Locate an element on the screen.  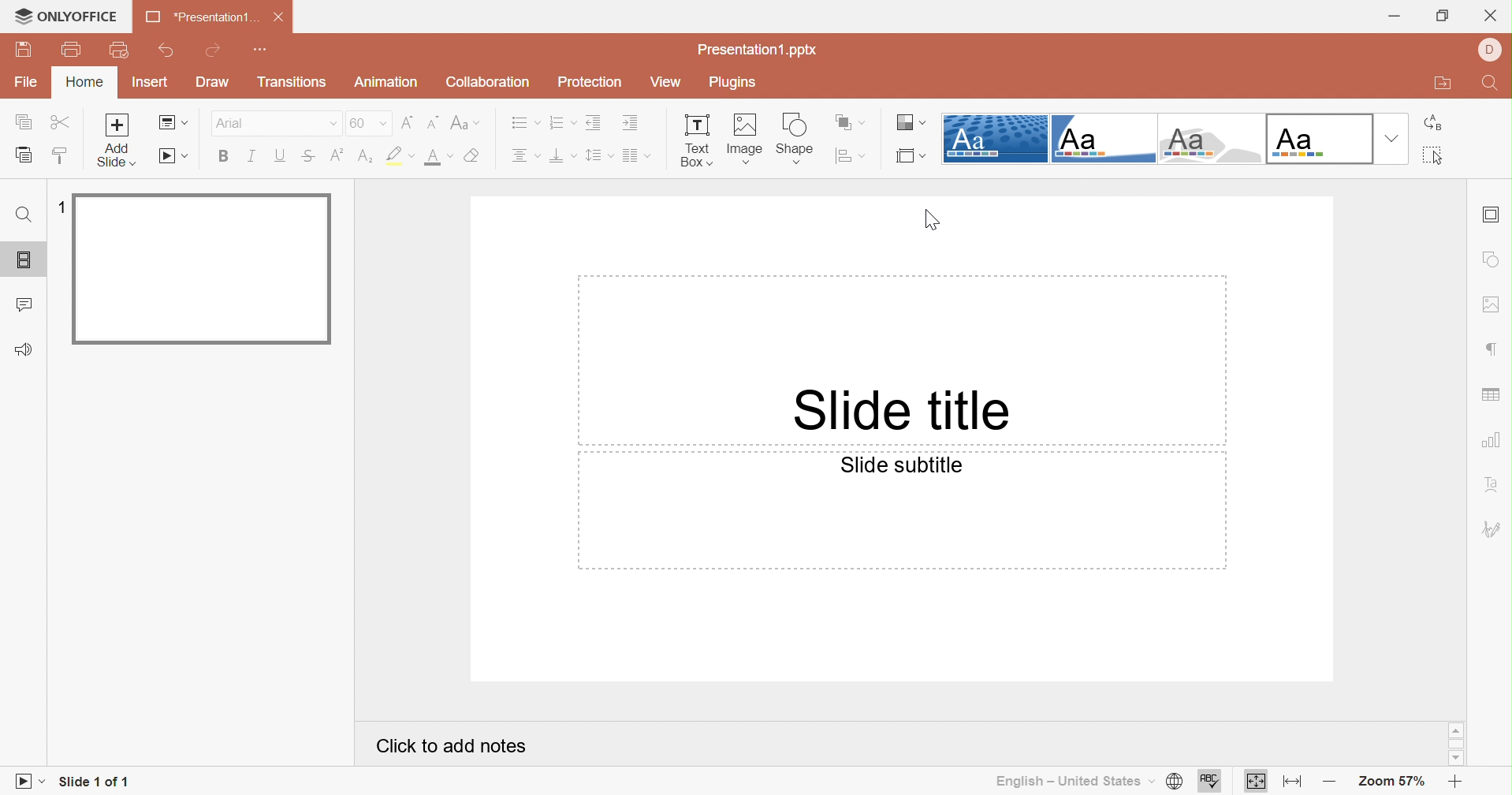
Comments is located at coordinates (23, 305).